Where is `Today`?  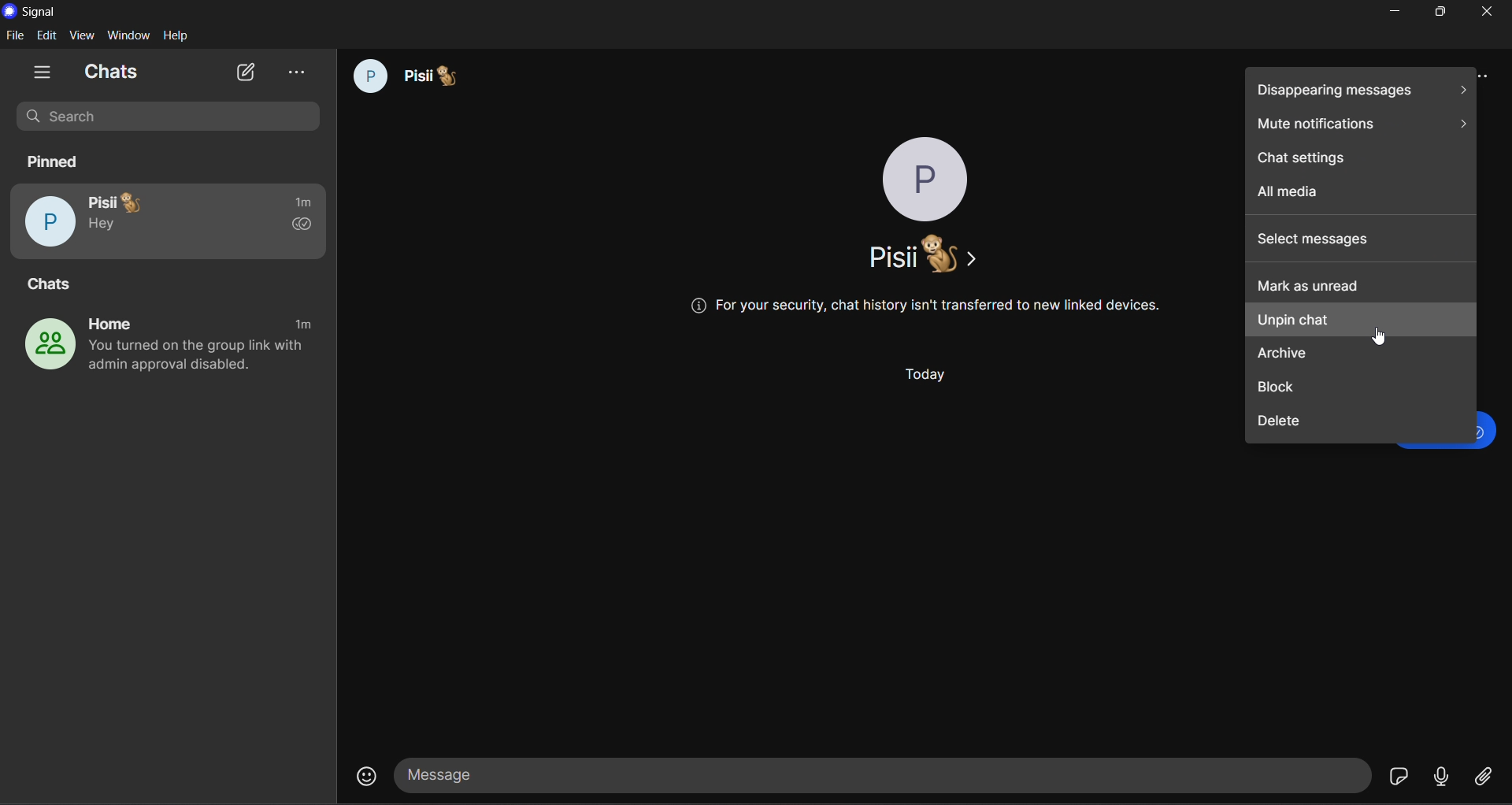
Today is located at coordinates (895, 376).